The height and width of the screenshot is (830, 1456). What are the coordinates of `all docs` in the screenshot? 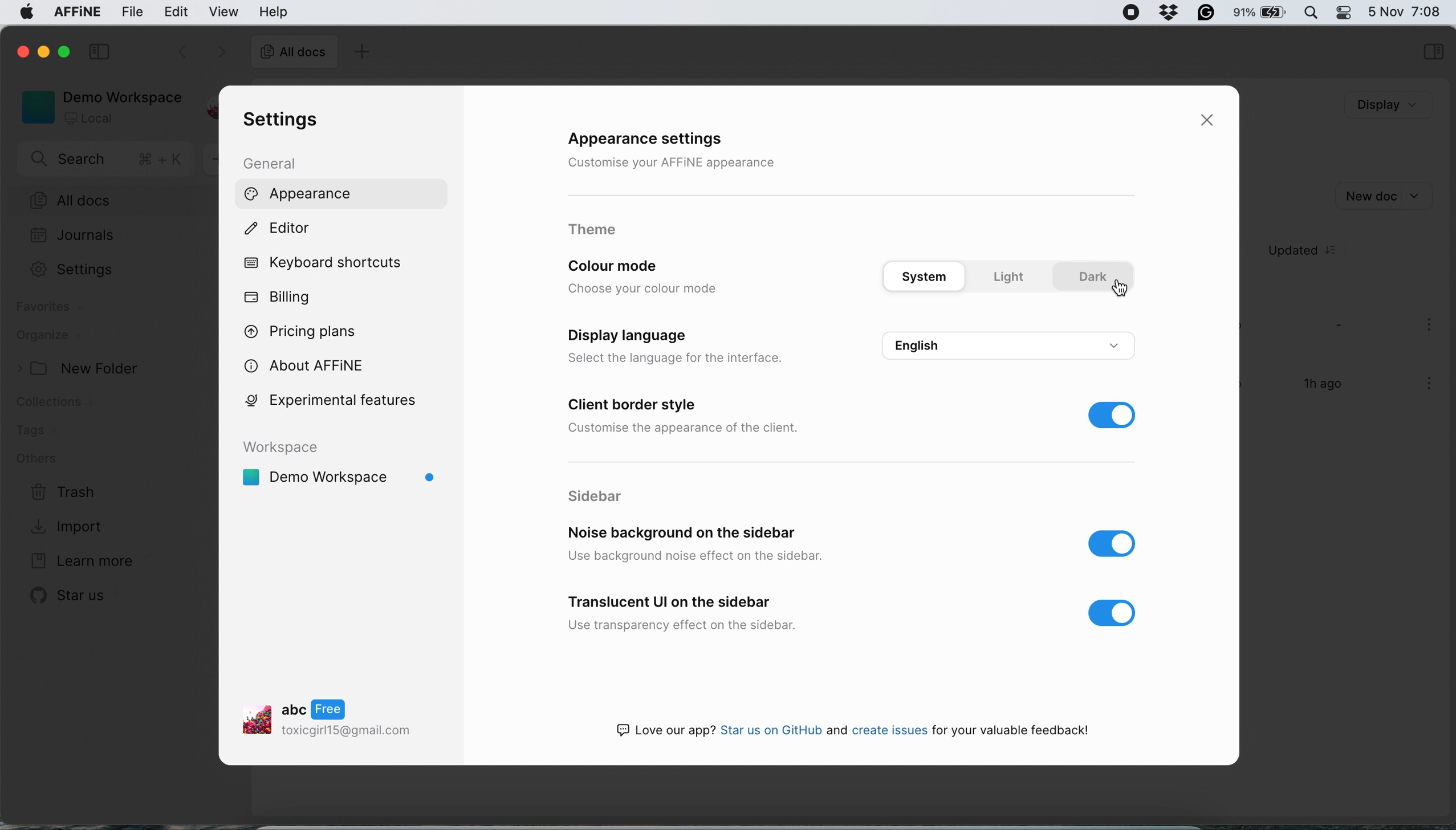 It's located at (106, 200).